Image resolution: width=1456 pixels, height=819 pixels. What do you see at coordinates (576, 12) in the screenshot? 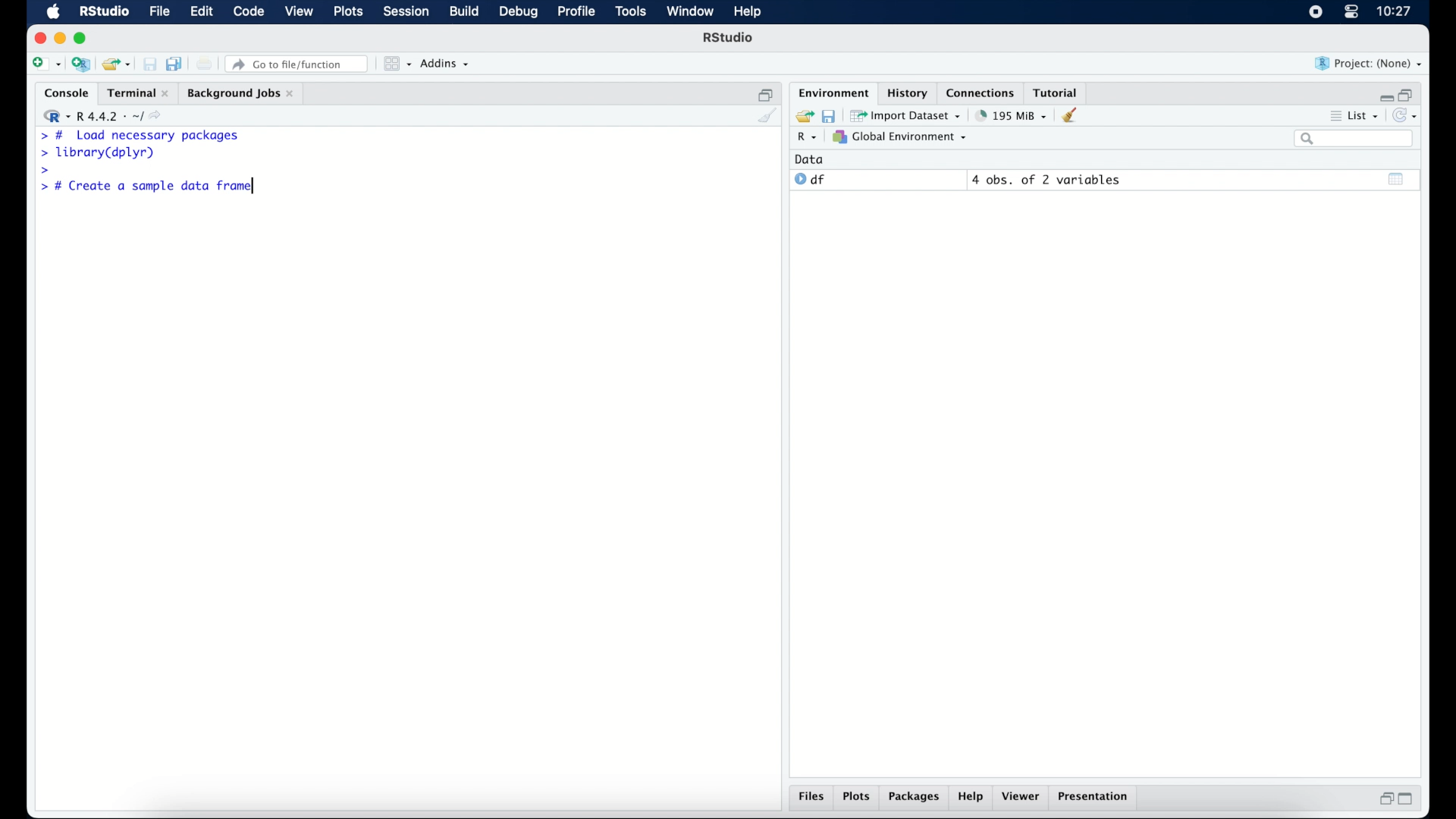
I see `profile` at bounding box center [576, 12].